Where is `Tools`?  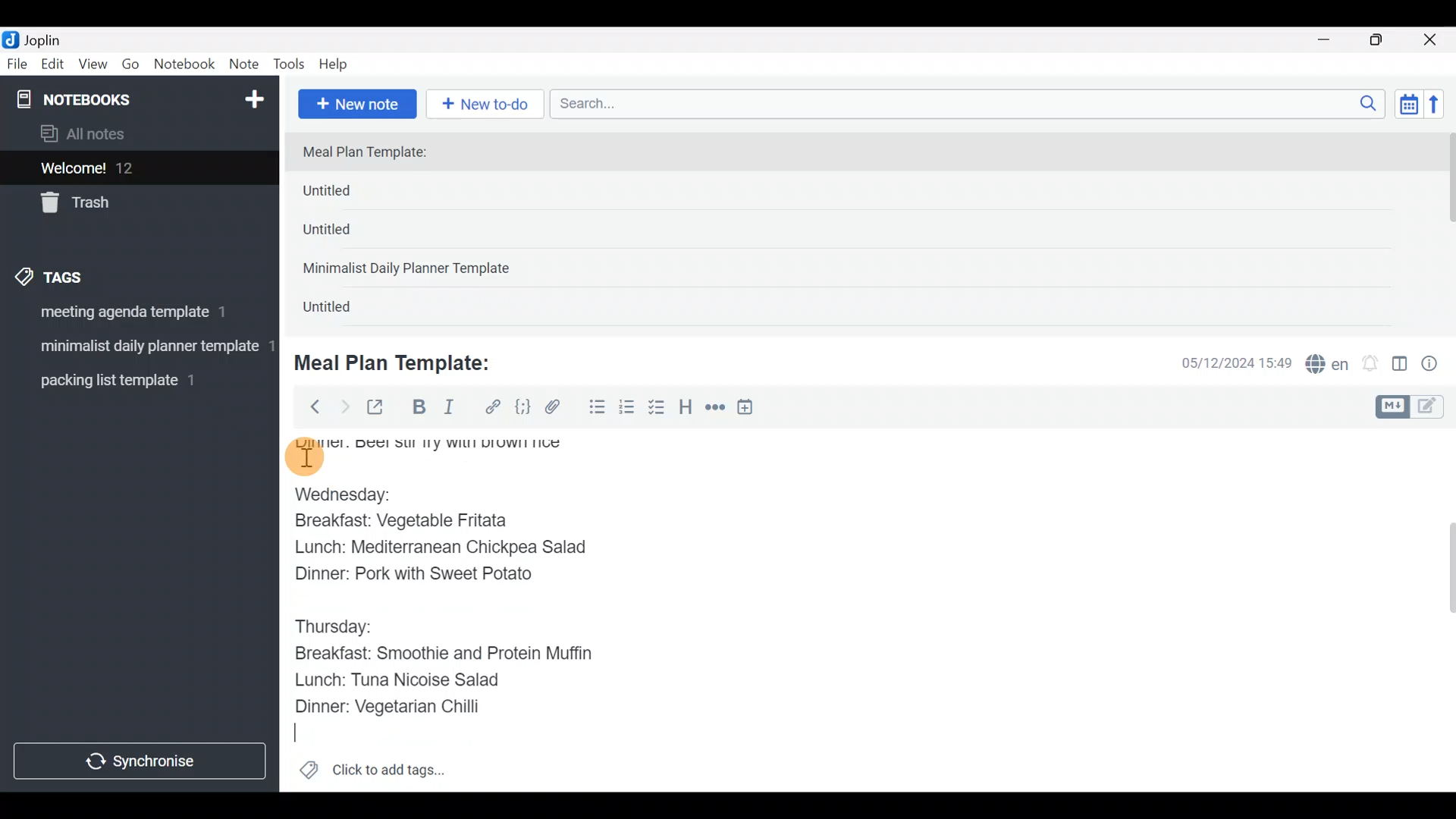 Tools is located at coordinates (290, 65).